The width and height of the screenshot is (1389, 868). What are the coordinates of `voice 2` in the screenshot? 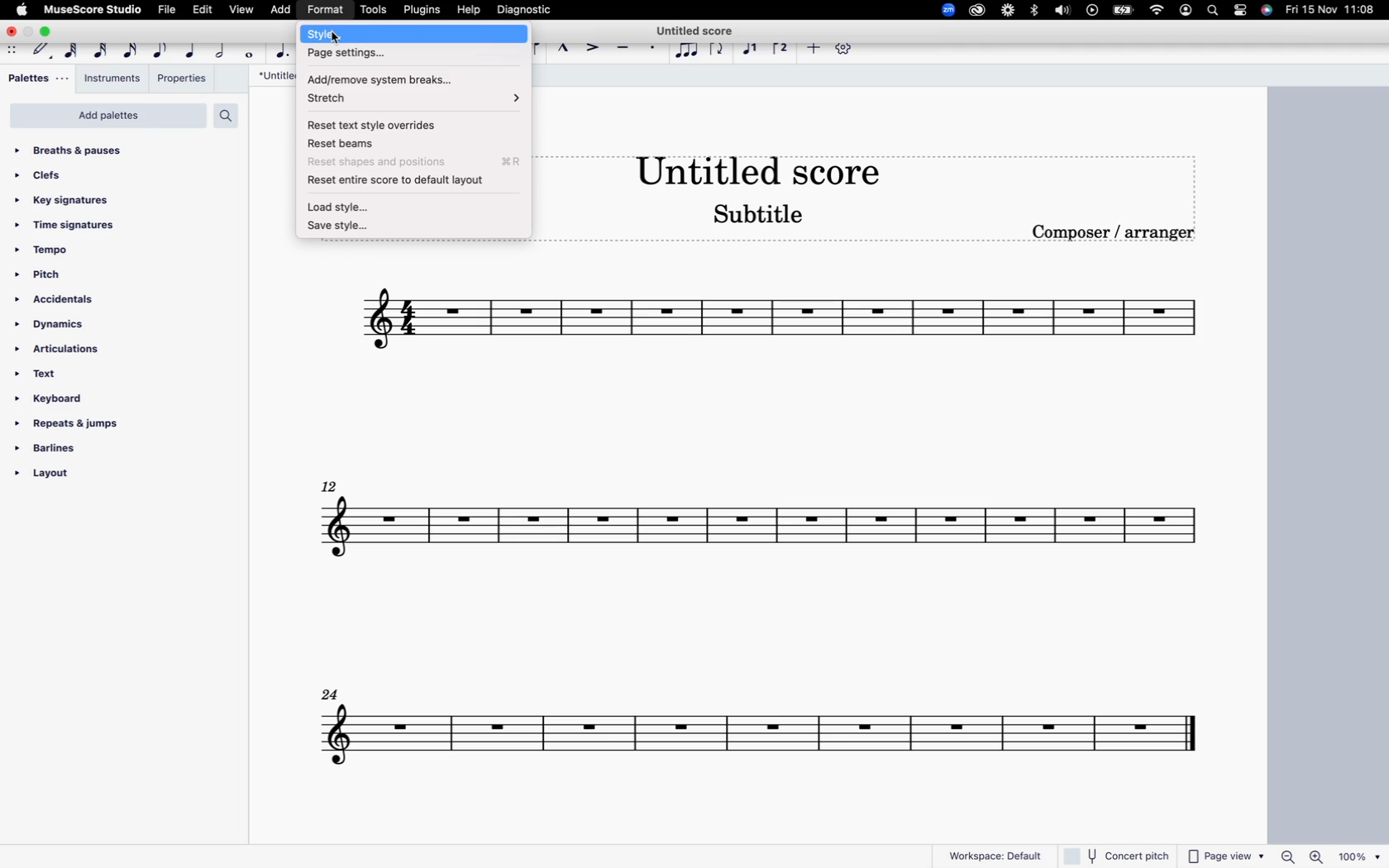 It's located at (783, 48).